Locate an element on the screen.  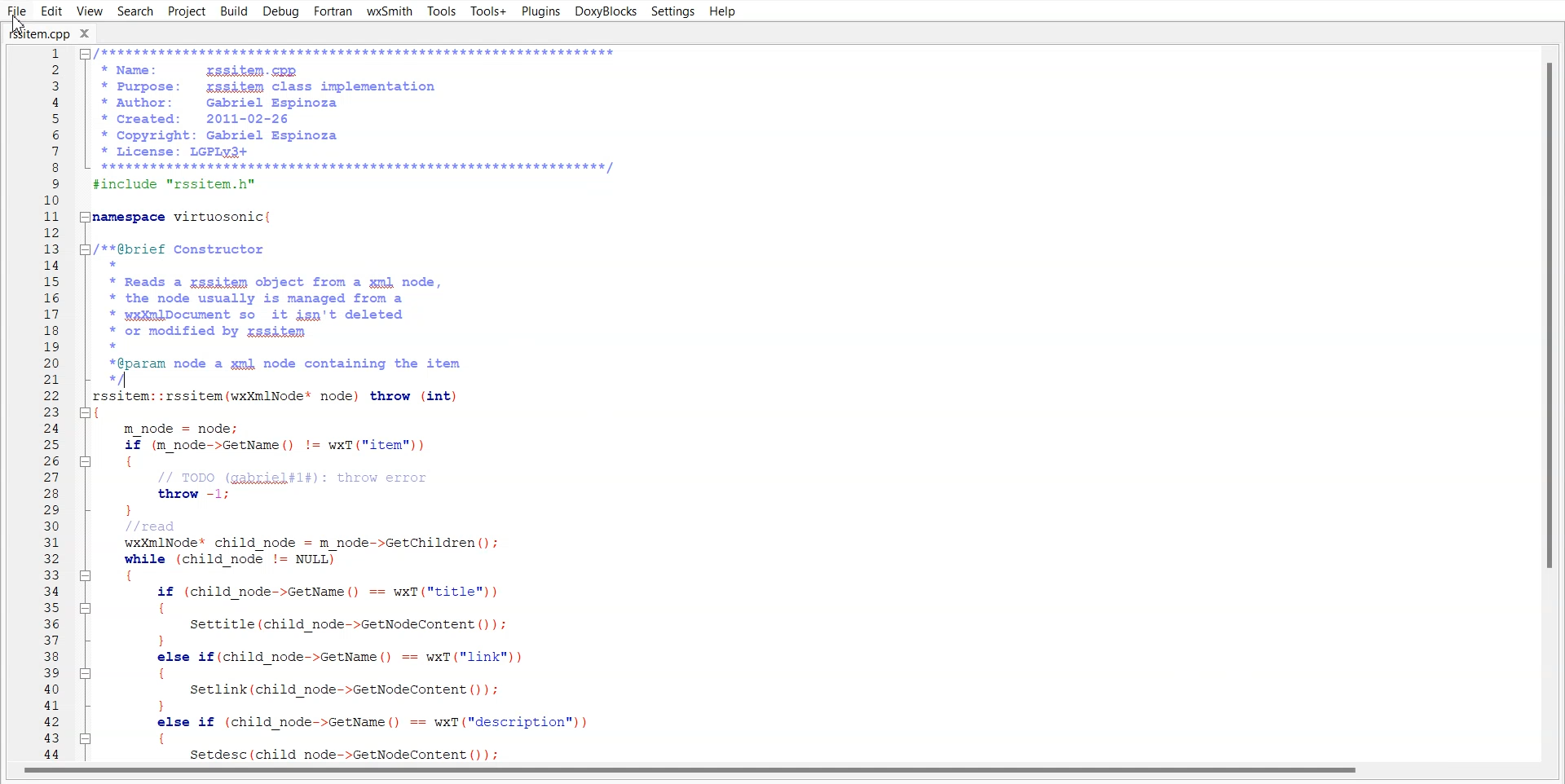
Collapse is located at coordinates (86, 673).